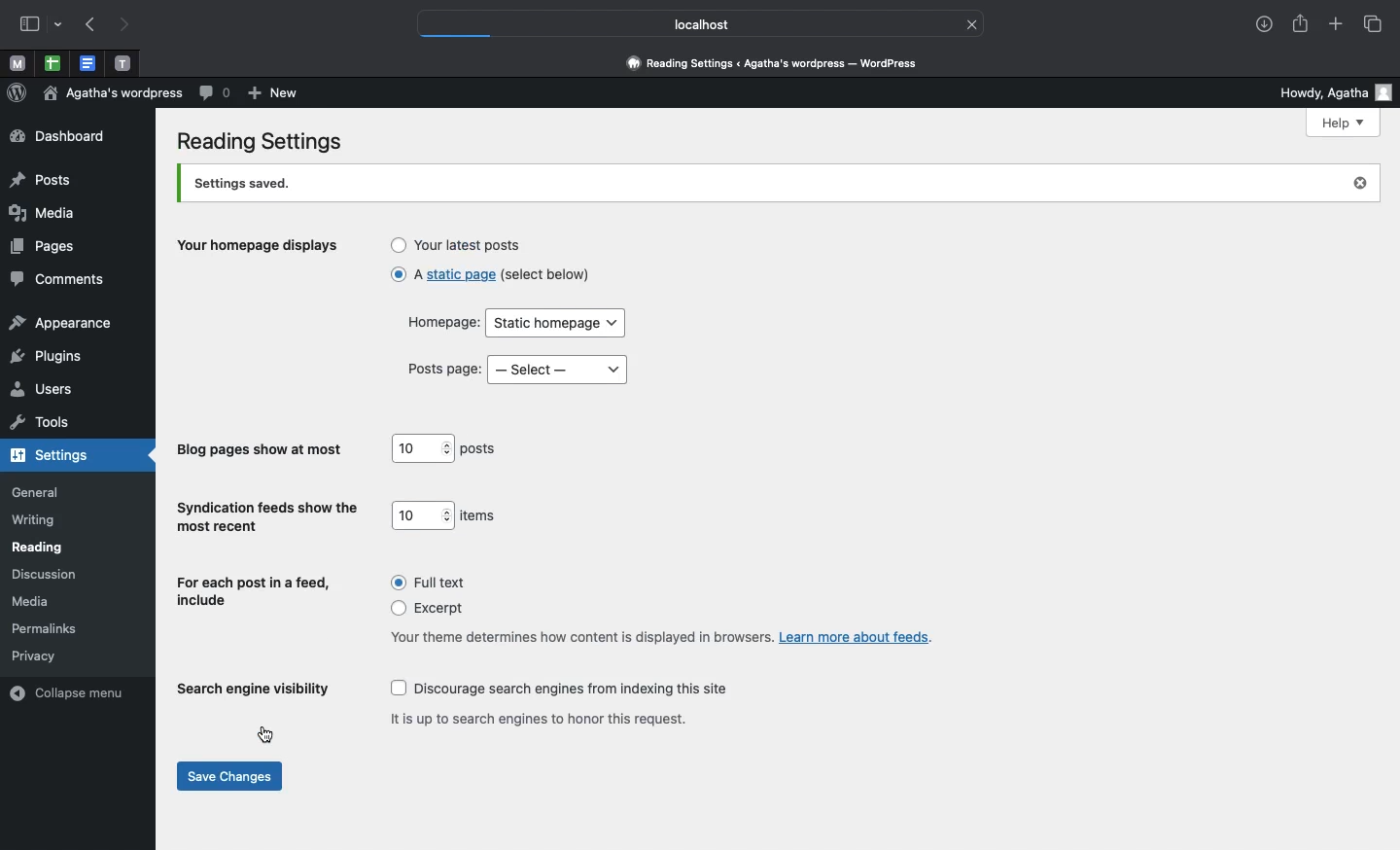 This screenshot has height=850, width=1400. What do you see at coordinates (783, 64) in the screenshot?
I see `reading settings < agatha's wordpress - wordpress` at bounding box center [783, 64].